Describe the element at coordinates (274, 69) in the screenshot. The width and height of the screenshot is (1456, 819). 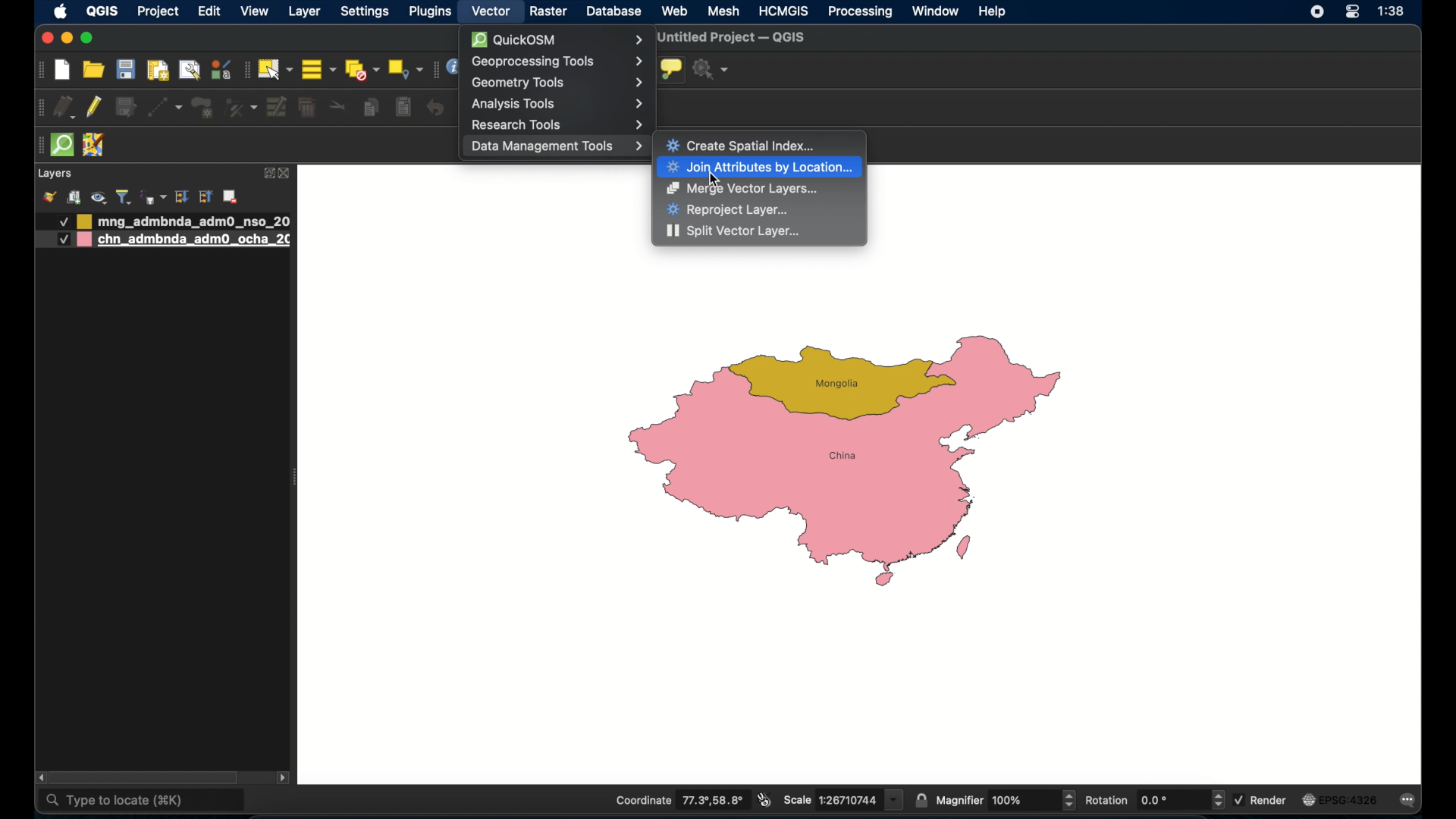
I see `select features by area or single click` at that location.